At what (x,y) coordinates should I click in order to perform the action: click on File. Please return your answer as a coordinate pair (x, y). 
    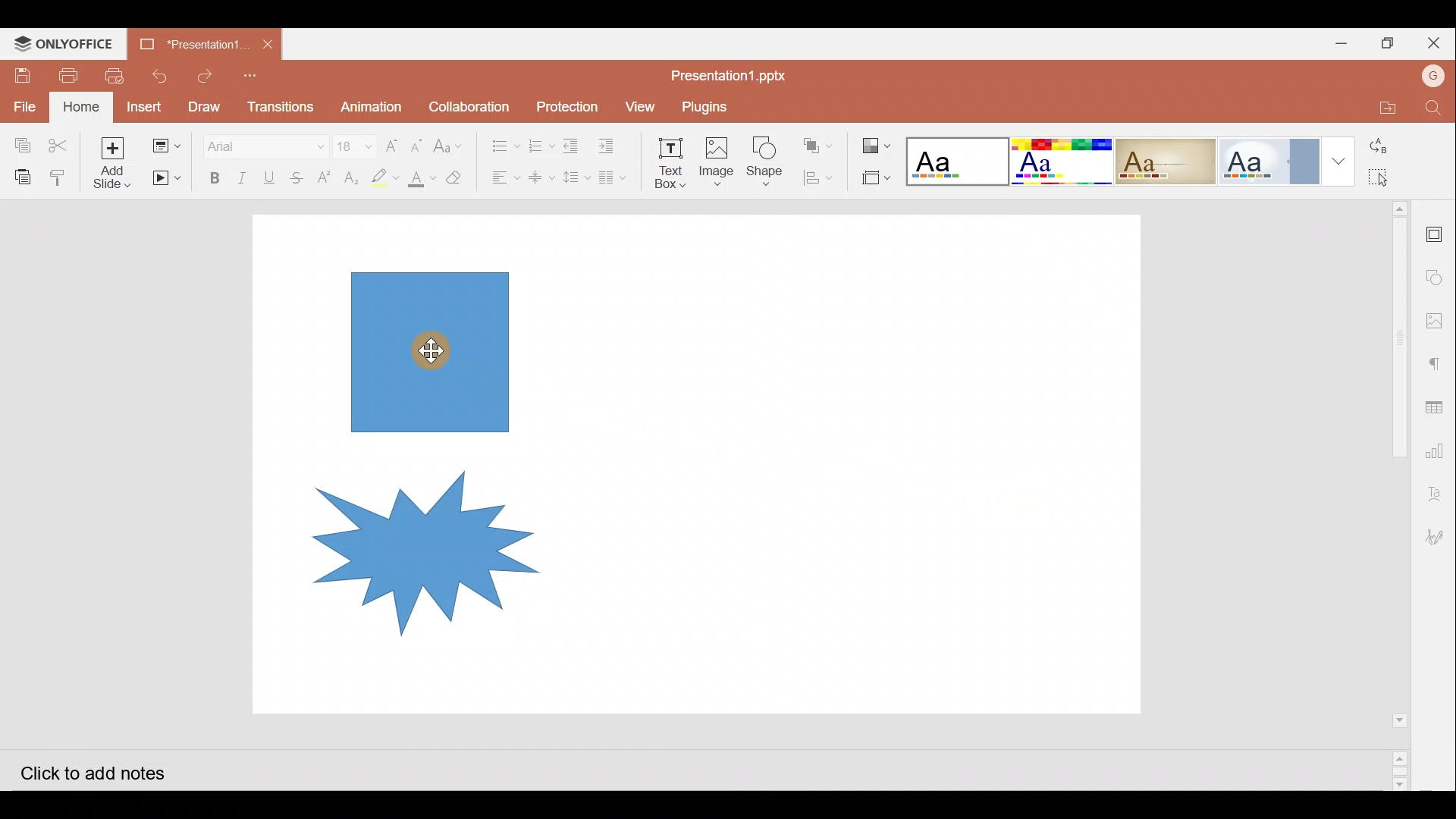
    Looking at the image, I should click on (22, 108).